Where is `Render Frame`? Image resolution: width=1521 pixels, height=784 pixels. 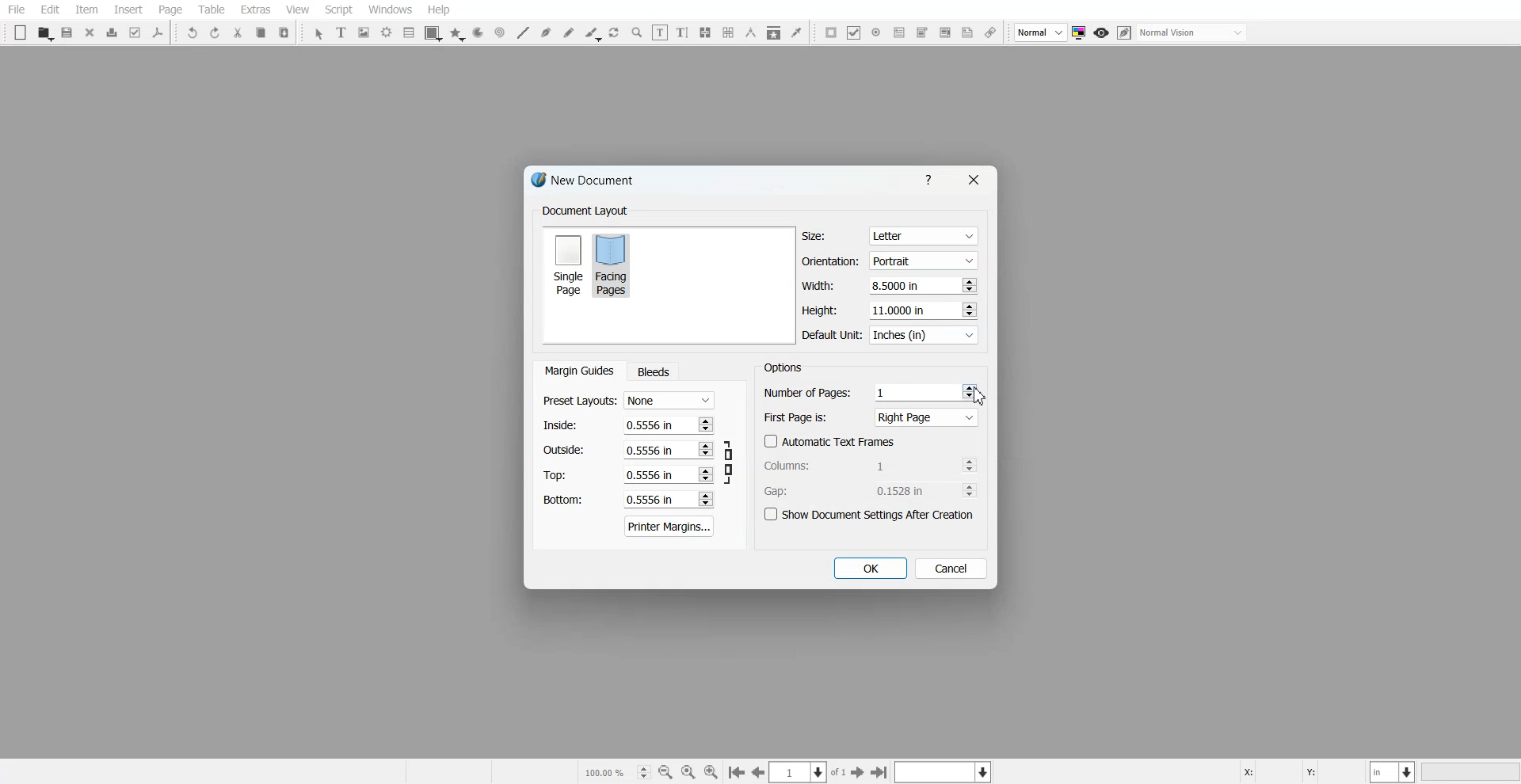
Render Frame is located at coordinates (387, 32).